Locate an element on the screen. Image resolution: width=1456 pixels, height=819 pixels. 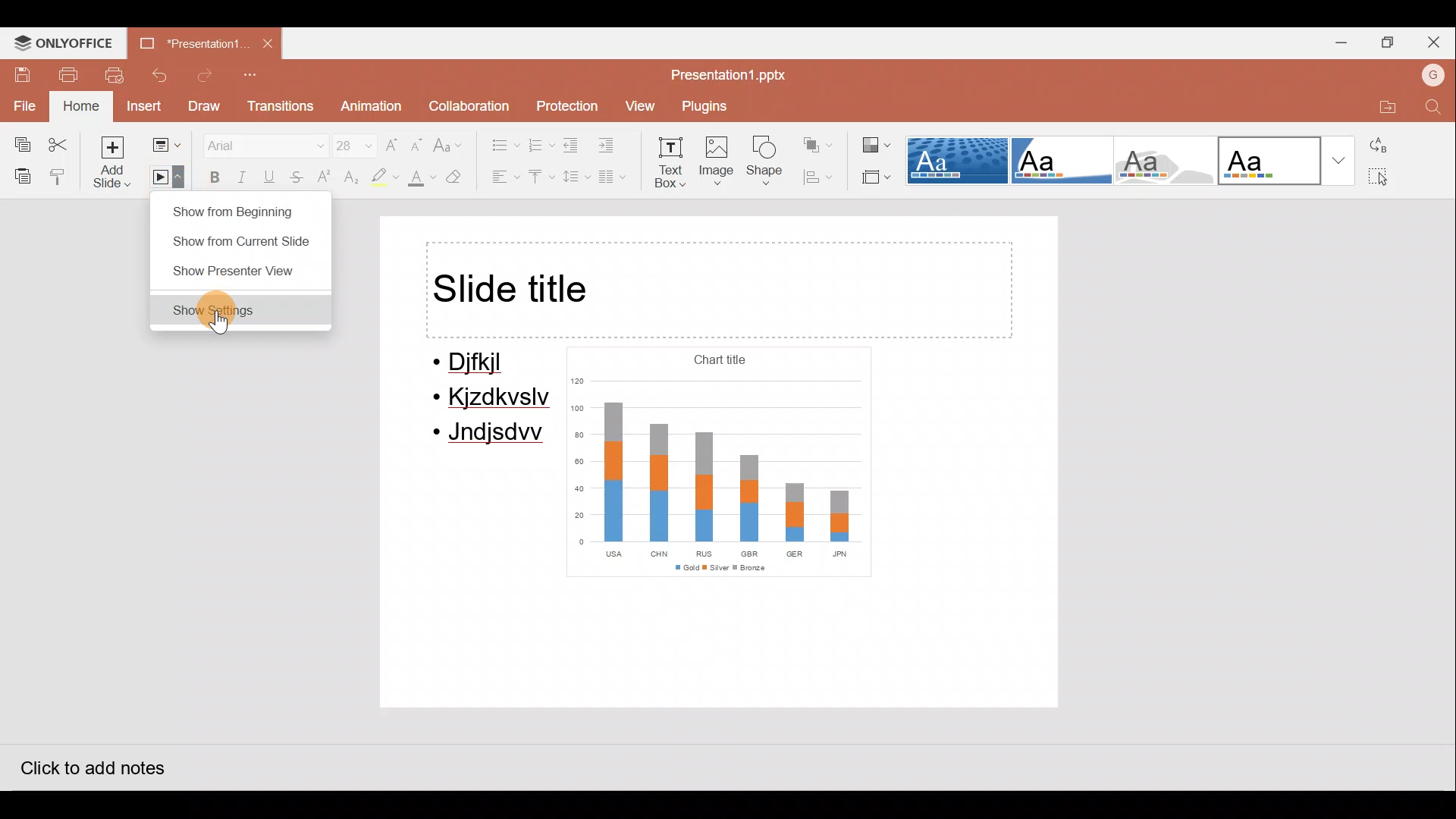
Cut is located at coordinates (65, 143).